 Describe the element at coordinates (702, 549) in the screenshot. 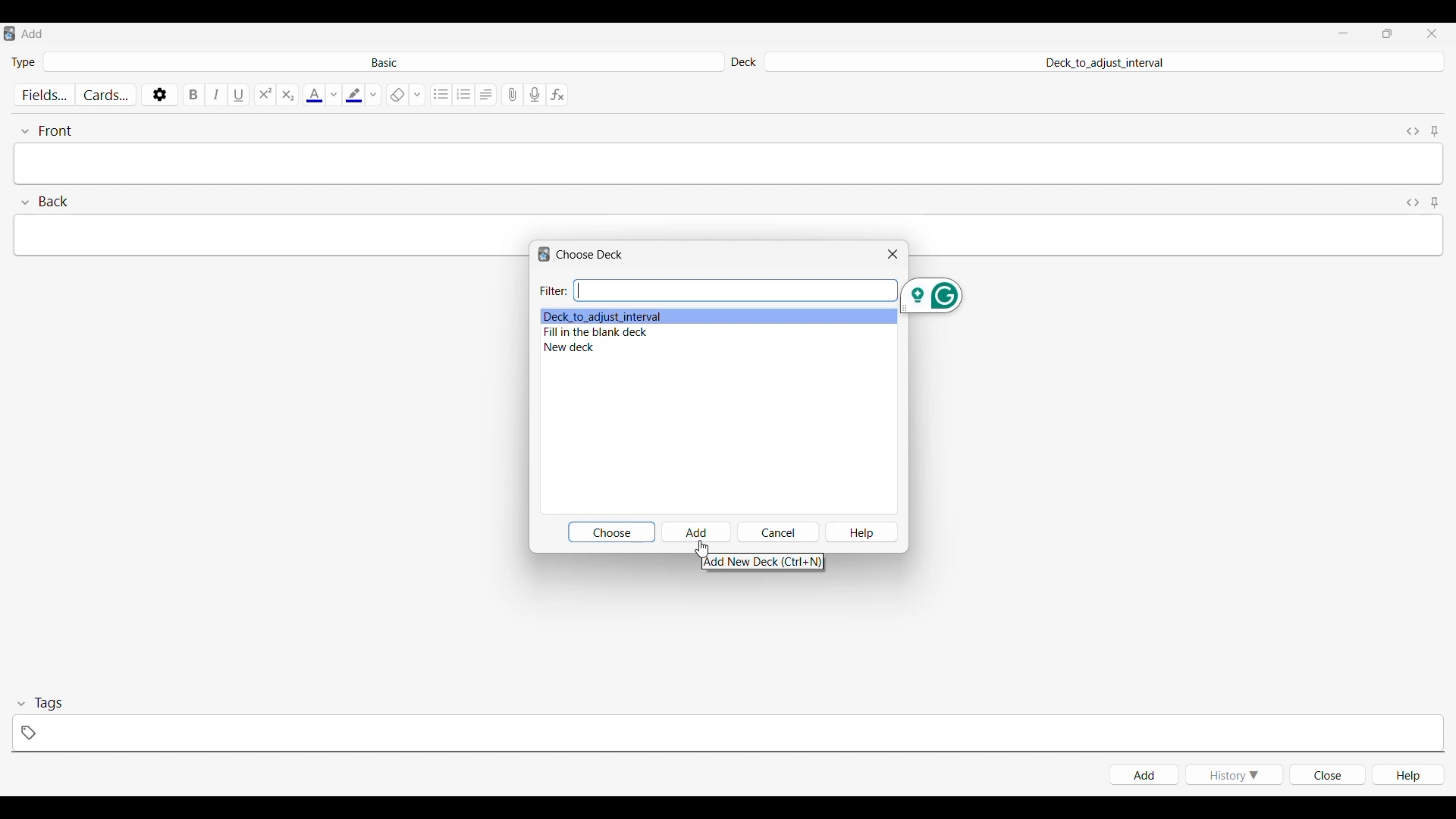

I see `Cursor clicking on Add` at that location.